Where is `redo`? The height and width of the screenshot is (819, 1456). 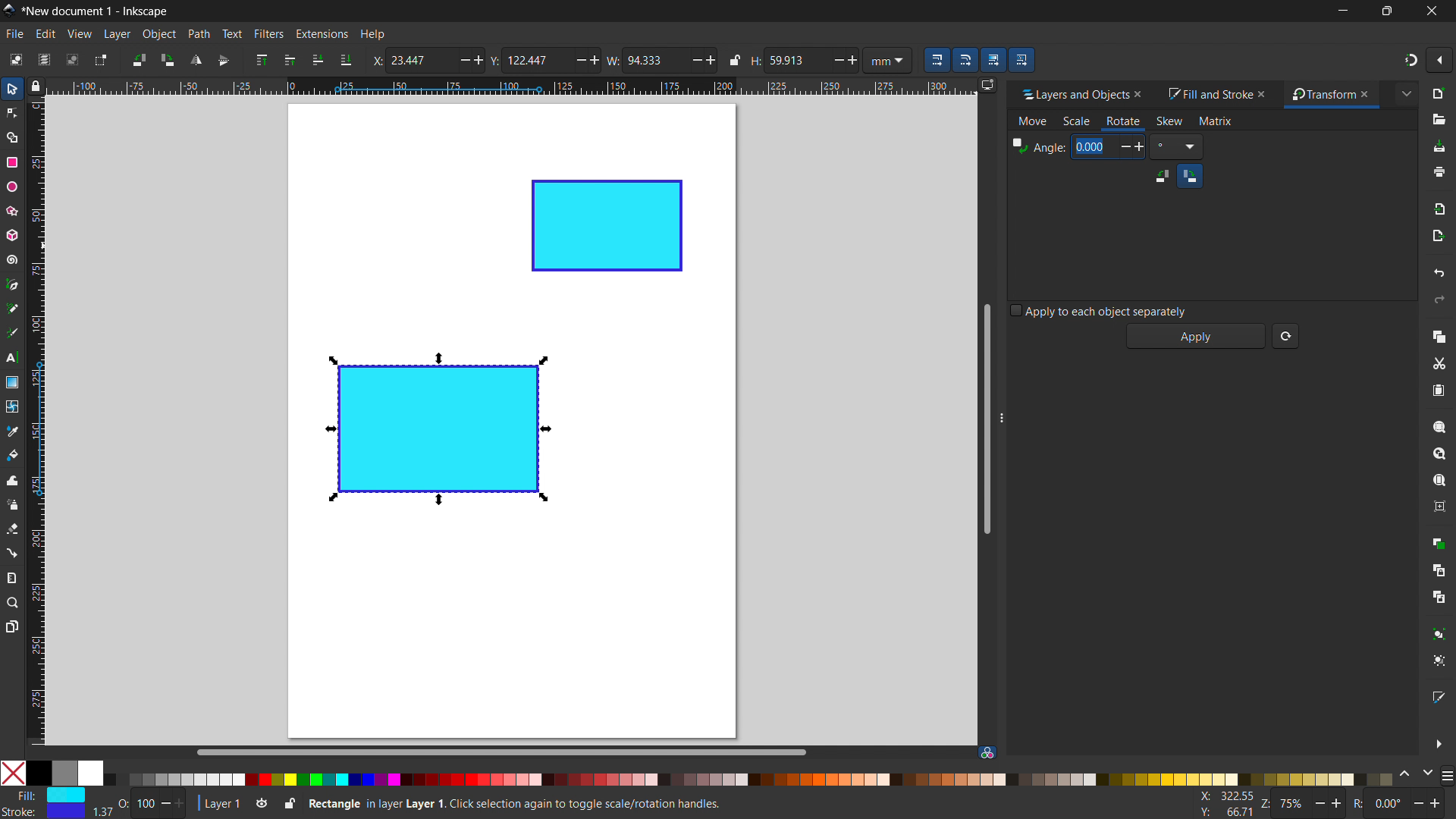
redo is located at coordinates (1439, 300).